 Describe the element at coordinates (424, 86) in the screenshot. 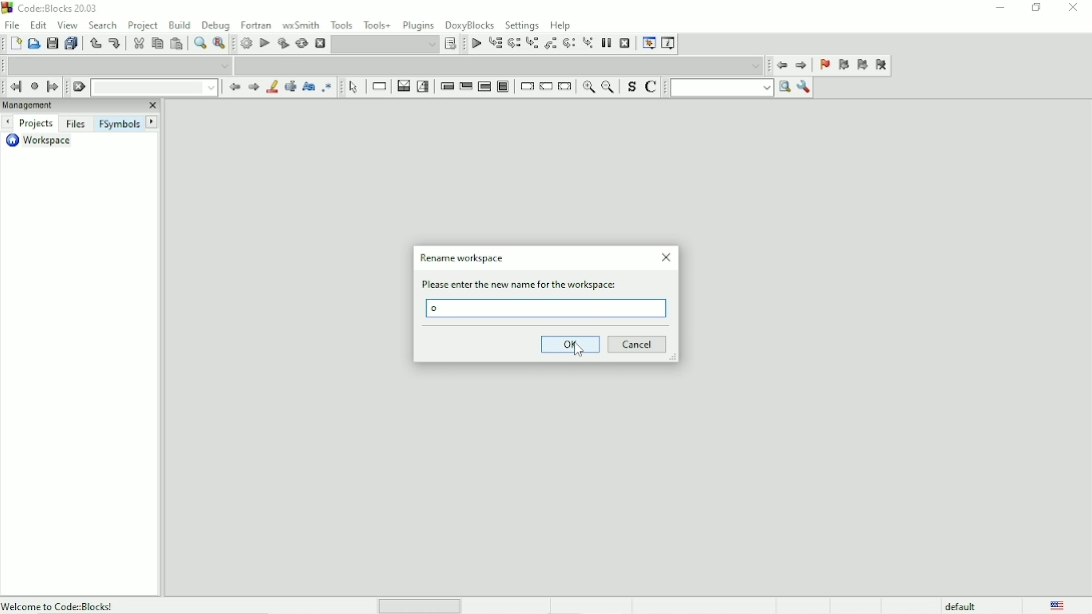

I see `Selection` at that location.